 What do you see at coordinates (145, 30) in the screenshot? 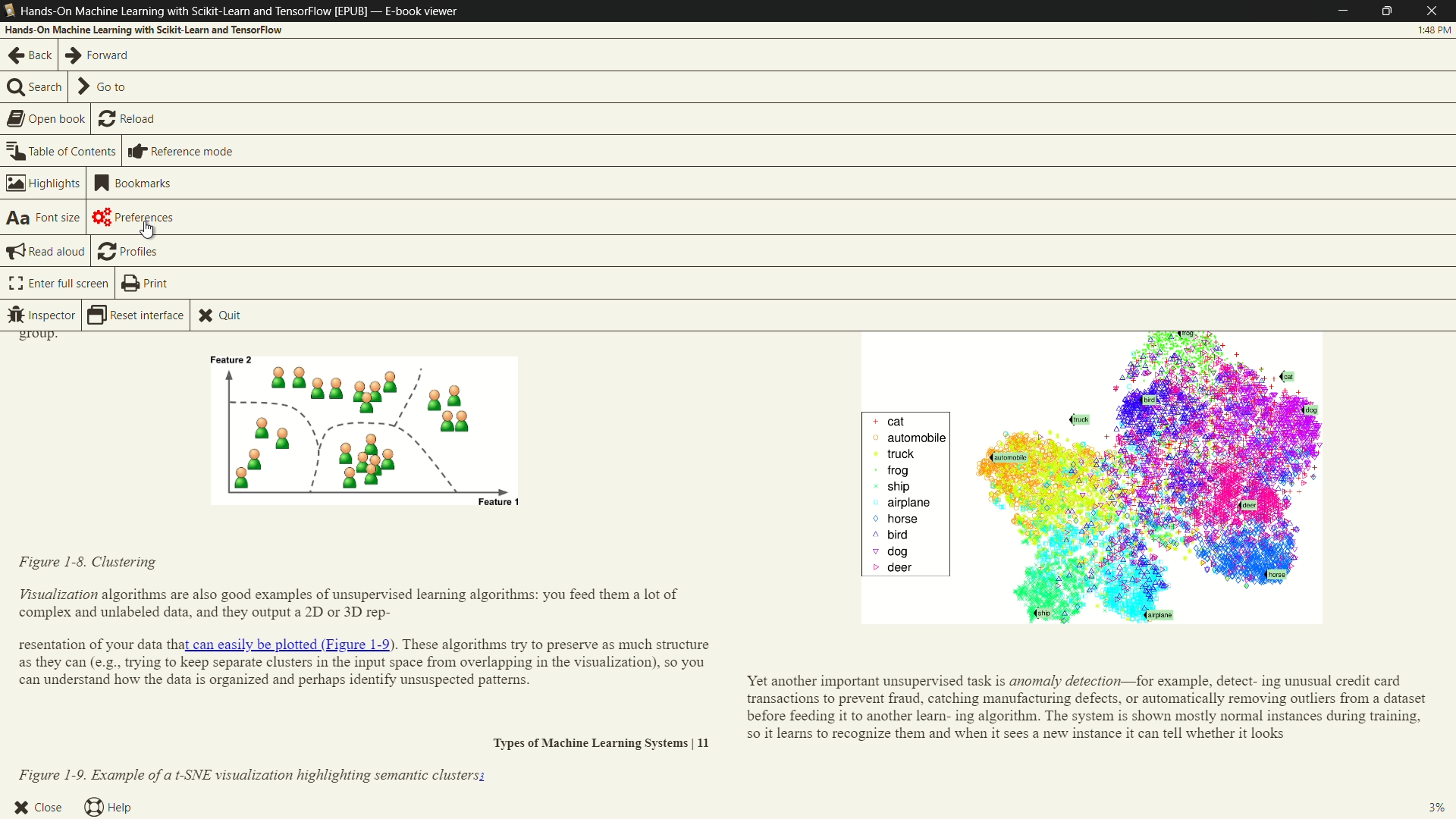
I see `hands on machine learning with scikit-learn and tensorflow` at bounding box center [145, 30].